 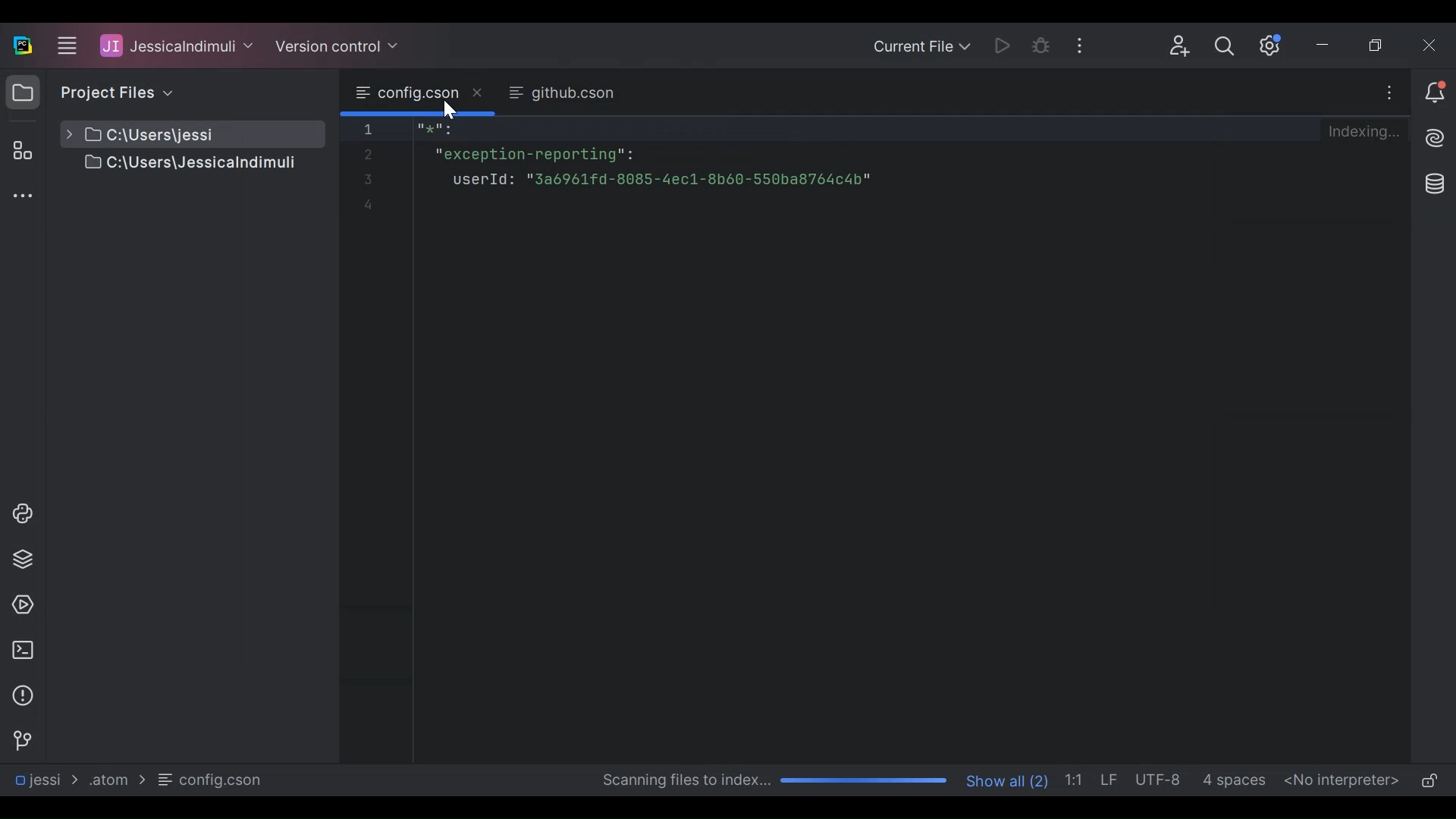 I want to click on Search, so click(x=1229, y=45).